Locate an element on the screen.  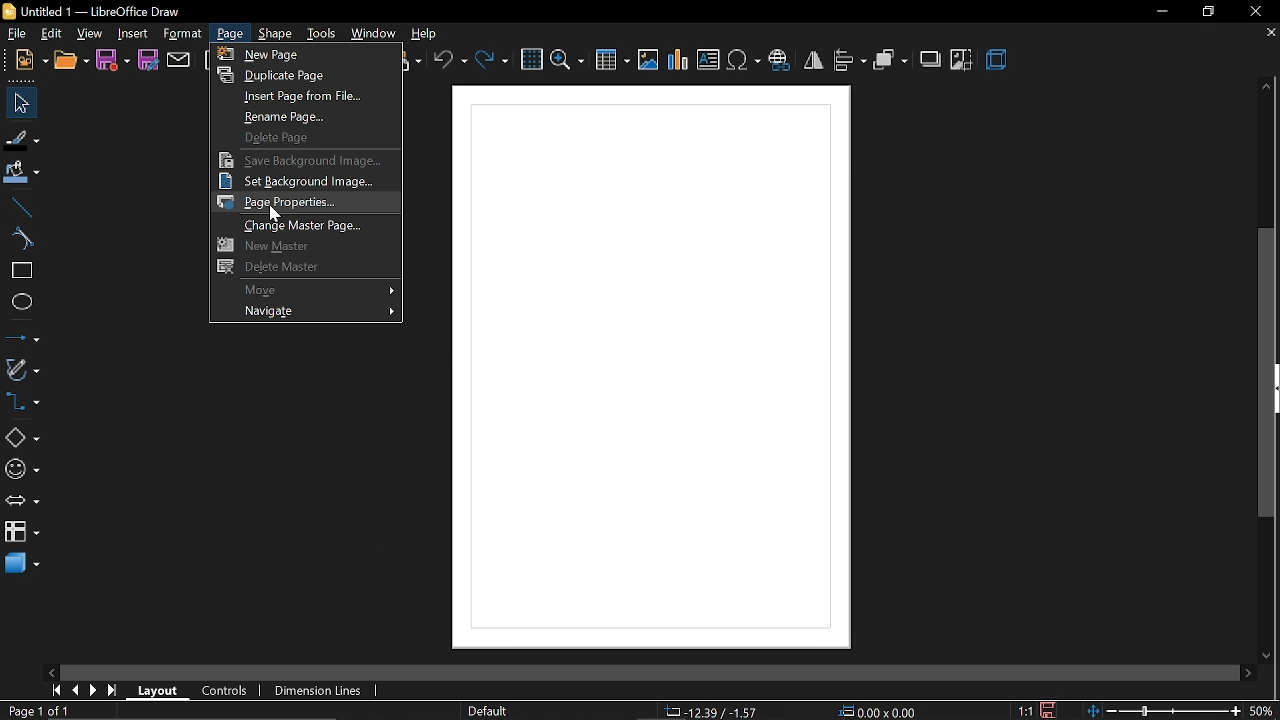
crop is located at coordinates (961, 62).